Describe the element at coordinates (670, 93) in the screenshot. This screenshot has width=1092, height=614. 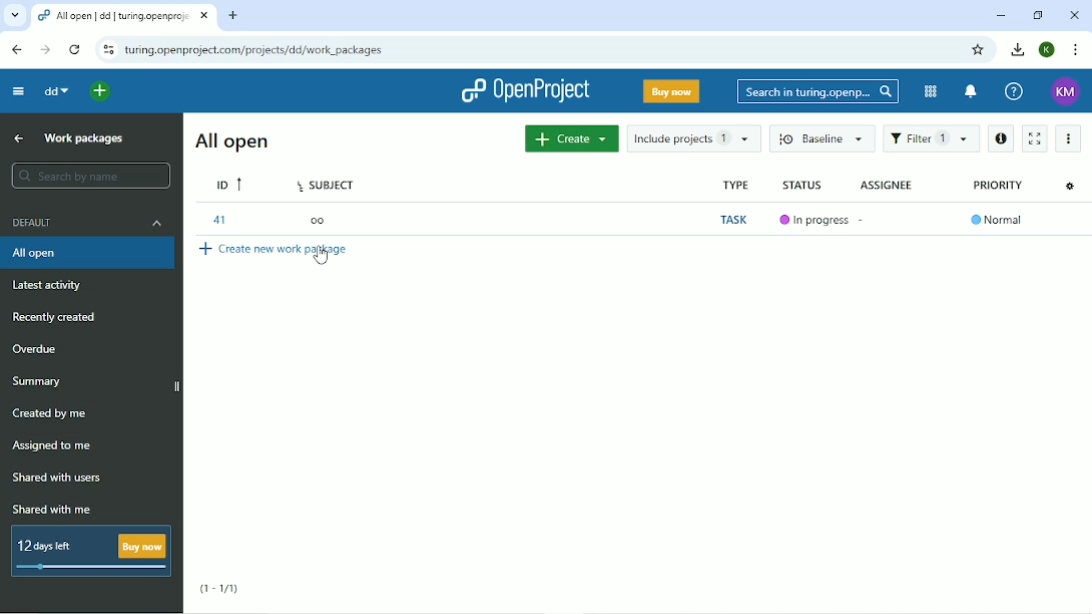
I see `Buy now` at that location.